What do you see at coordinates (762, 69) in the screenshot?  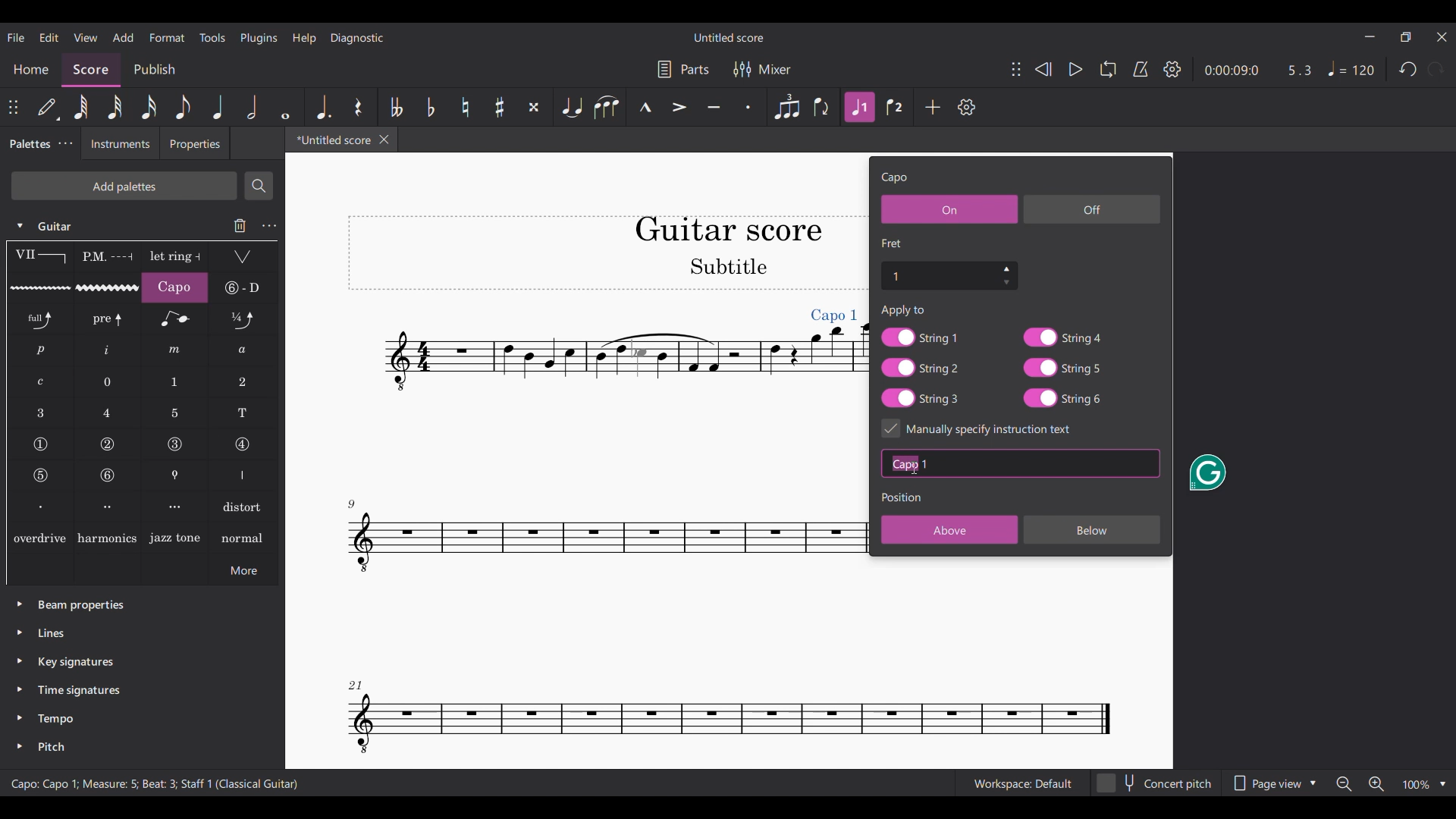 I see `Mixer settings` at bounding box center [762, 69].